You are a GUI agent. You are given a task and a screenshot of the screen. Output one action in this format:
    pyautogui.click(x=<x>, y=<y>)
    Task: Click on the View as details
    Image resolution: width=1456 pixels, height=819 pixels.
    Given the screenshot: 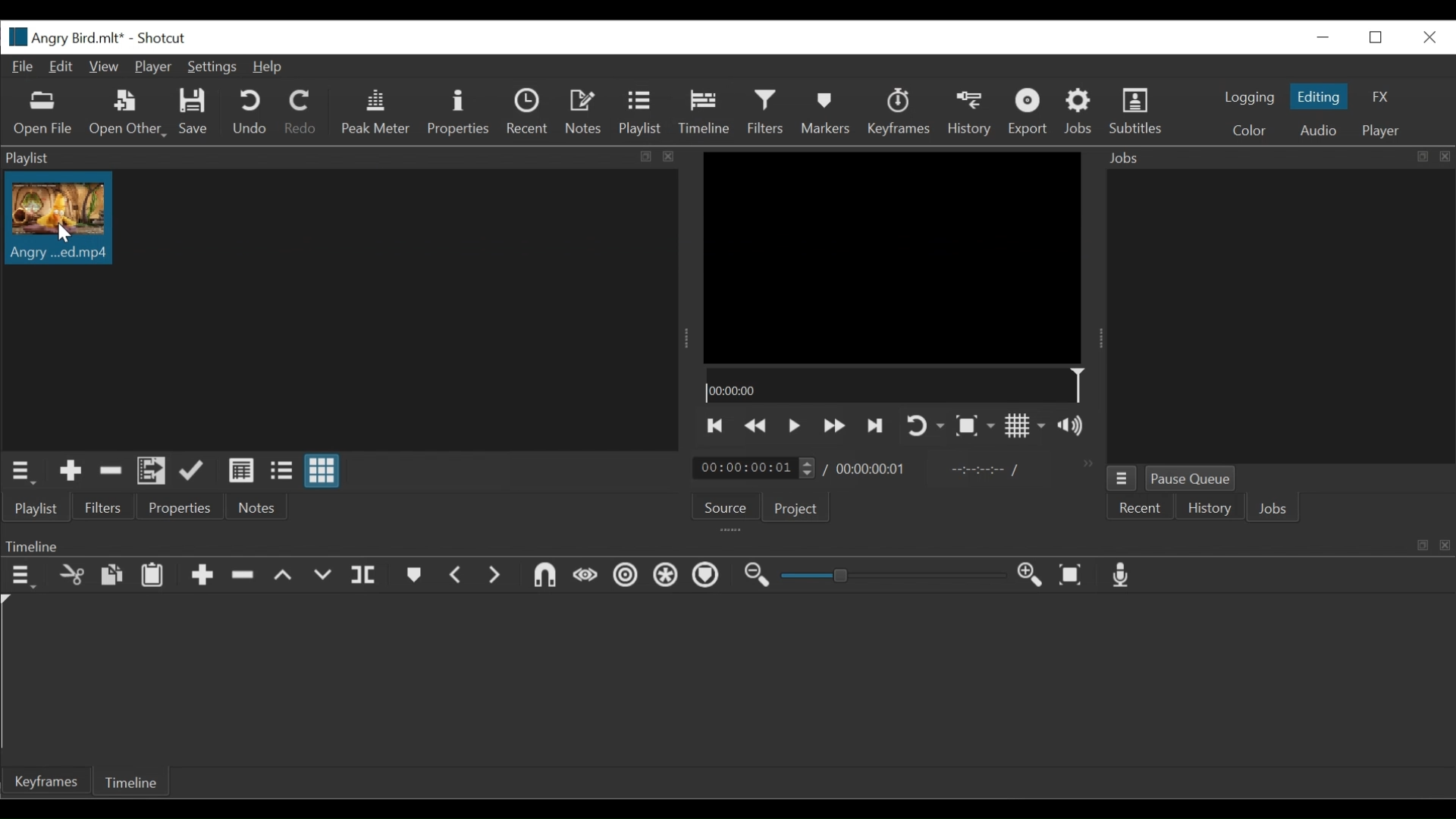 What is the action you would take?
    pyautogui.click(x=240, y=471)
    